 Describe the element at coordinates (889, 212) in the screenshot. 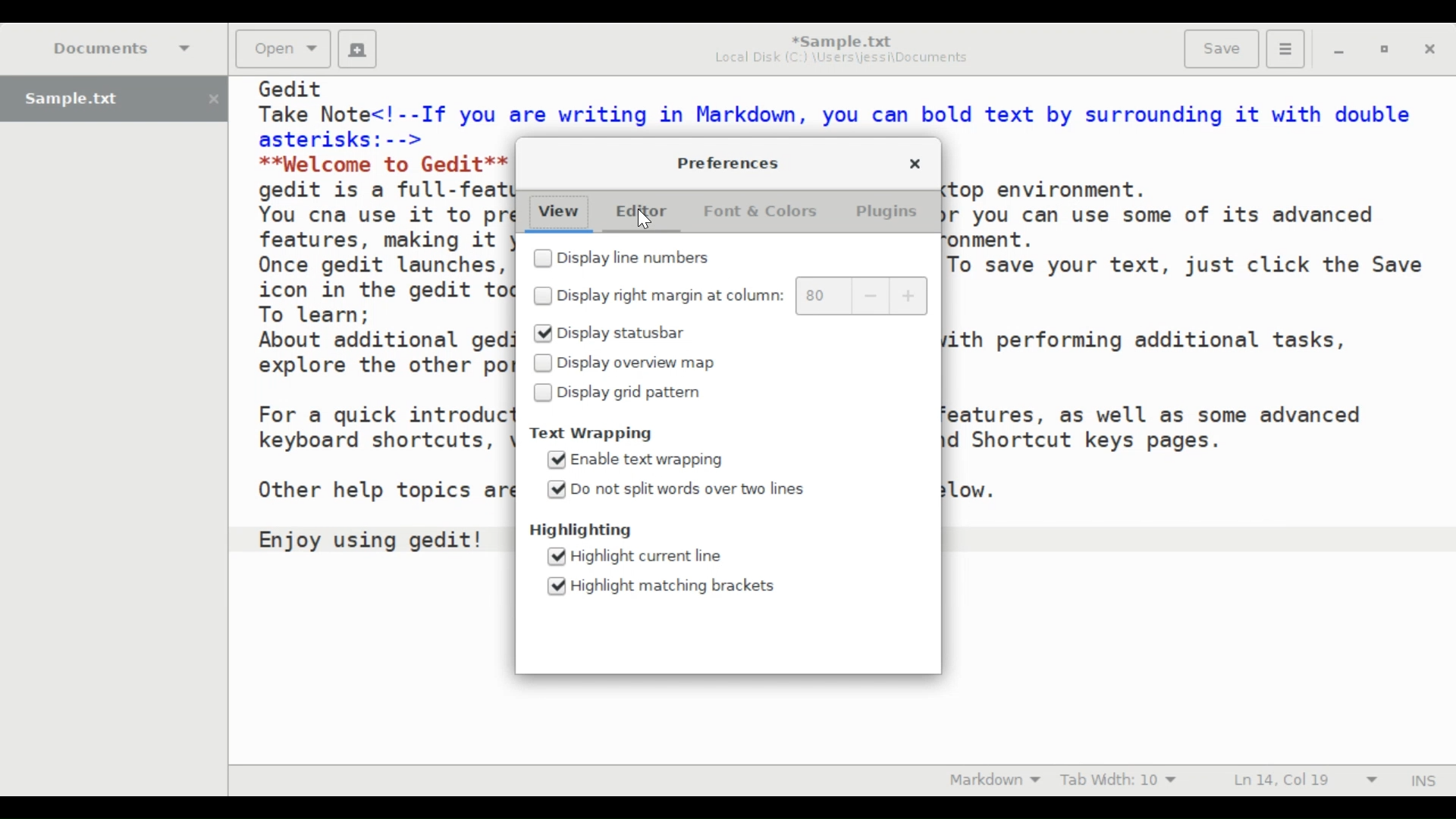

I see `Plugins` at that location.